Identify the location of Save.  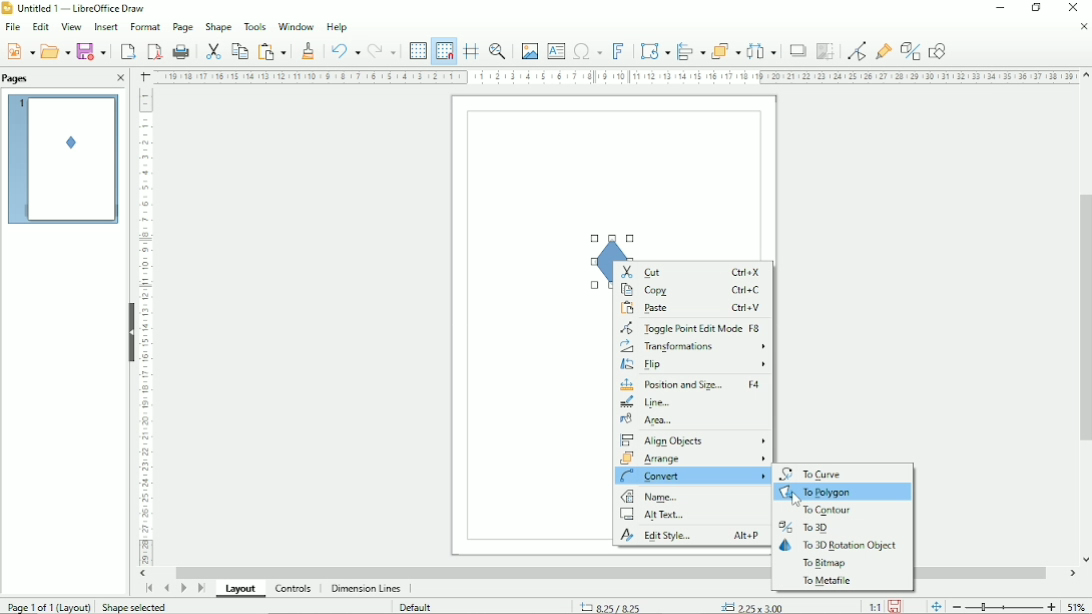
(91, 51).